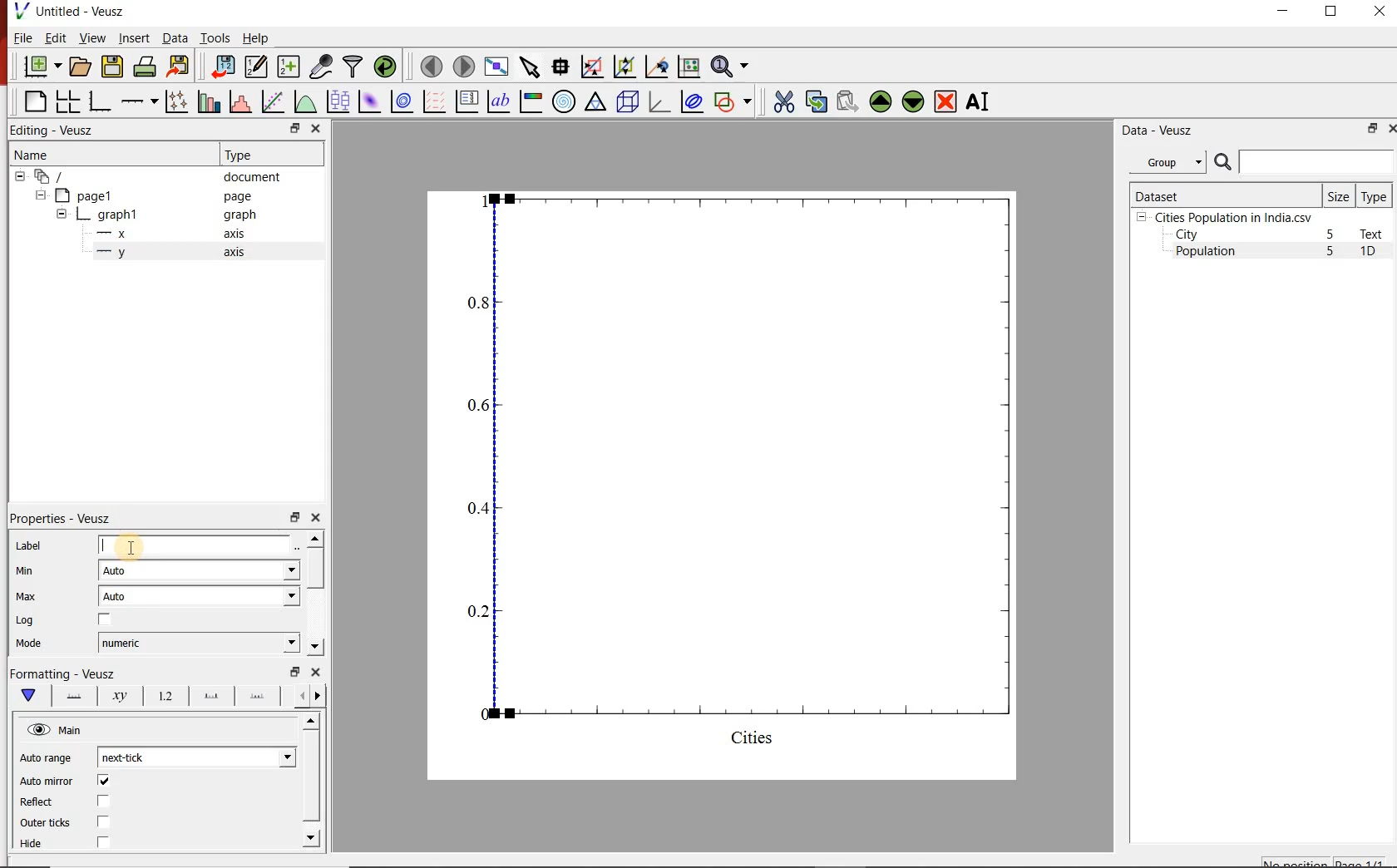  What do you see at coordinates (529, 66) in the screenshot?
I see `select items from the graph or scroll` at bounding box center [529, 66].